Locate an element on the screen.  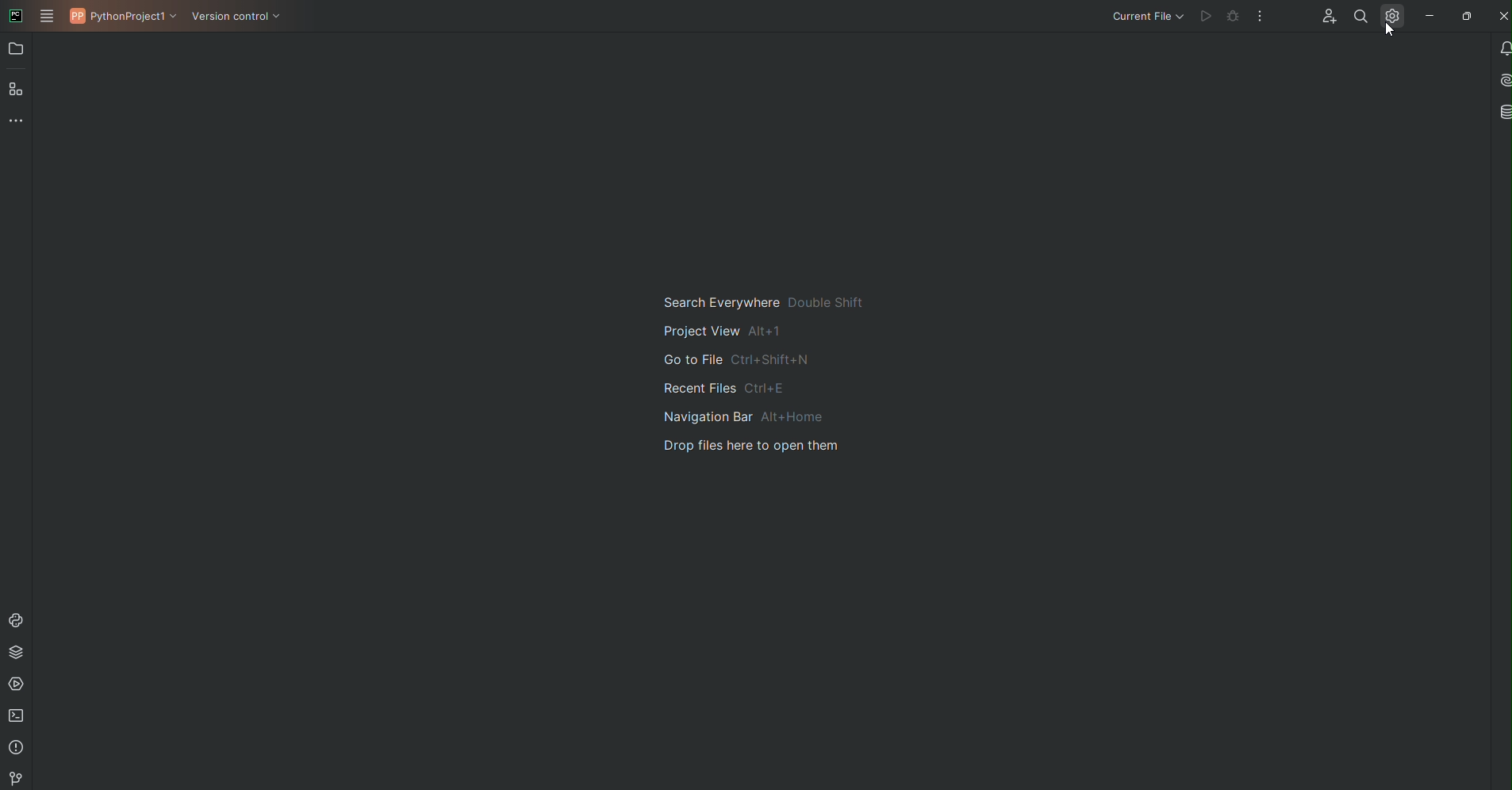
Code with me is located at coordinates (1328, 15).